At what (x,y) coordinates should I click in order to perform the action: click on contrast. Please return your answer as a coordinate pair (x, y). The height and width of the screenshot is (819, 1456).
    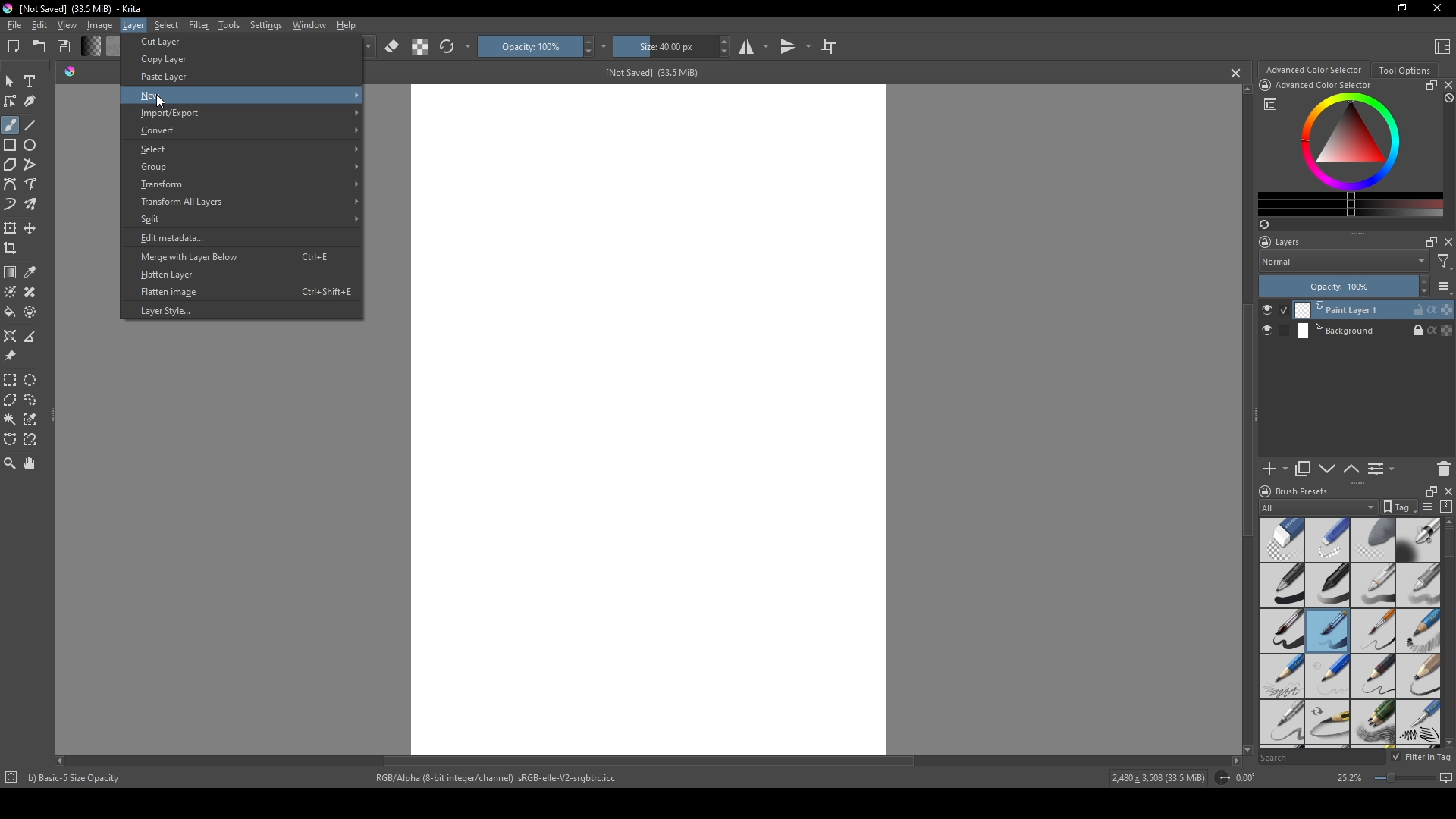
    Looking at the image, I should click on (419, 46).